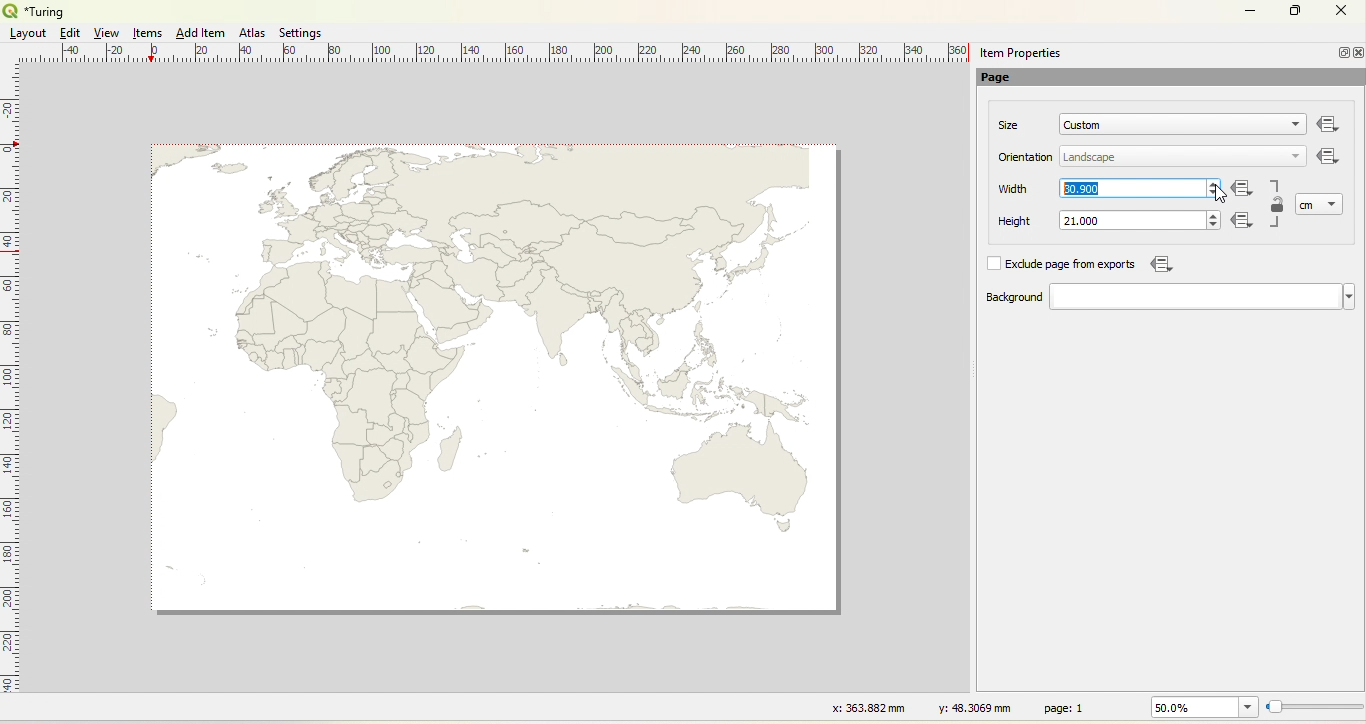  Describe the element at coordinates (1006, 79) in the screenshot. I see `Page` at that location.